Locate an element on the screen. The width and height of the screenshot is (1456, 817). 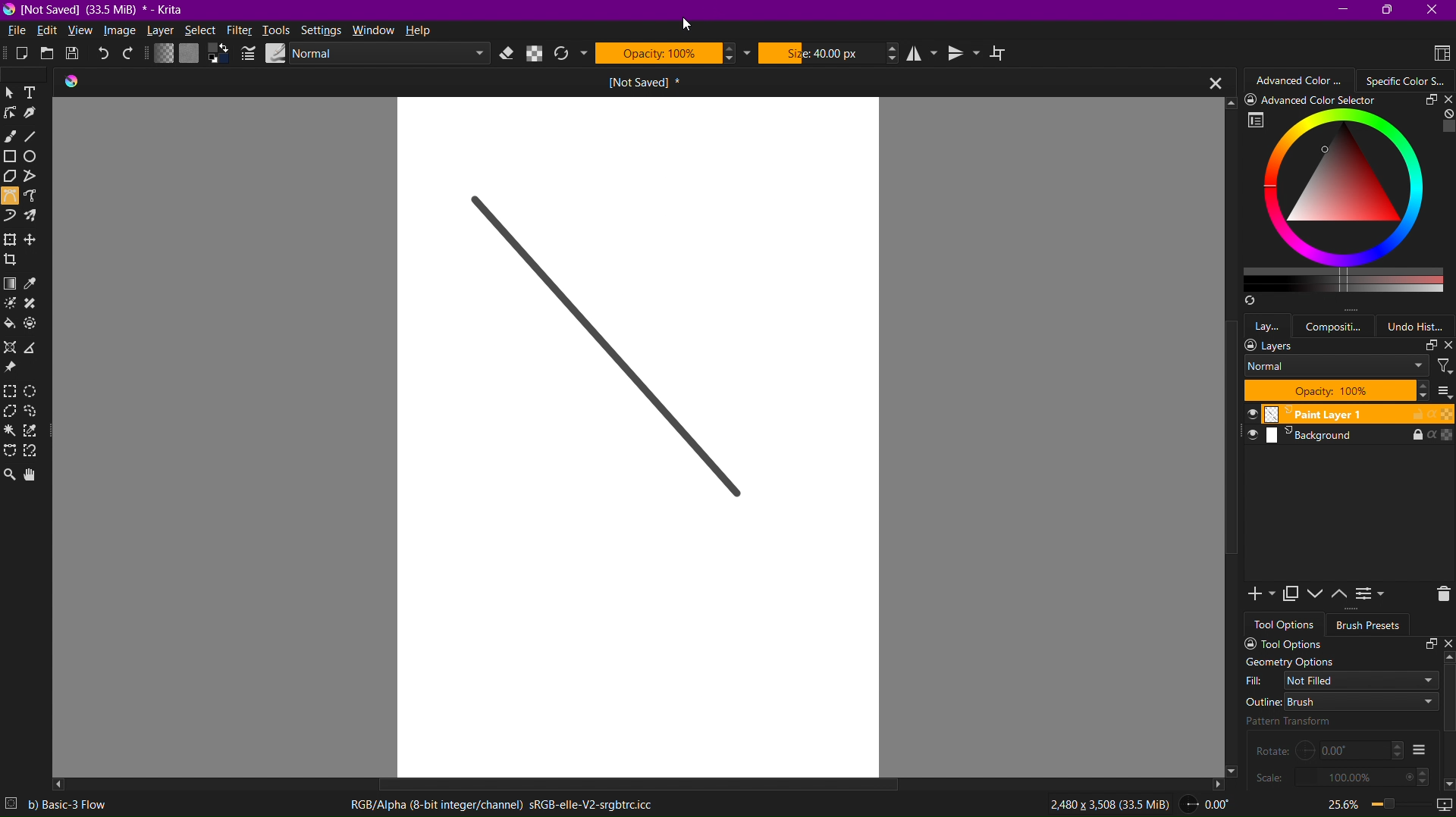
Minimize is located at coordinates (1341, 9).